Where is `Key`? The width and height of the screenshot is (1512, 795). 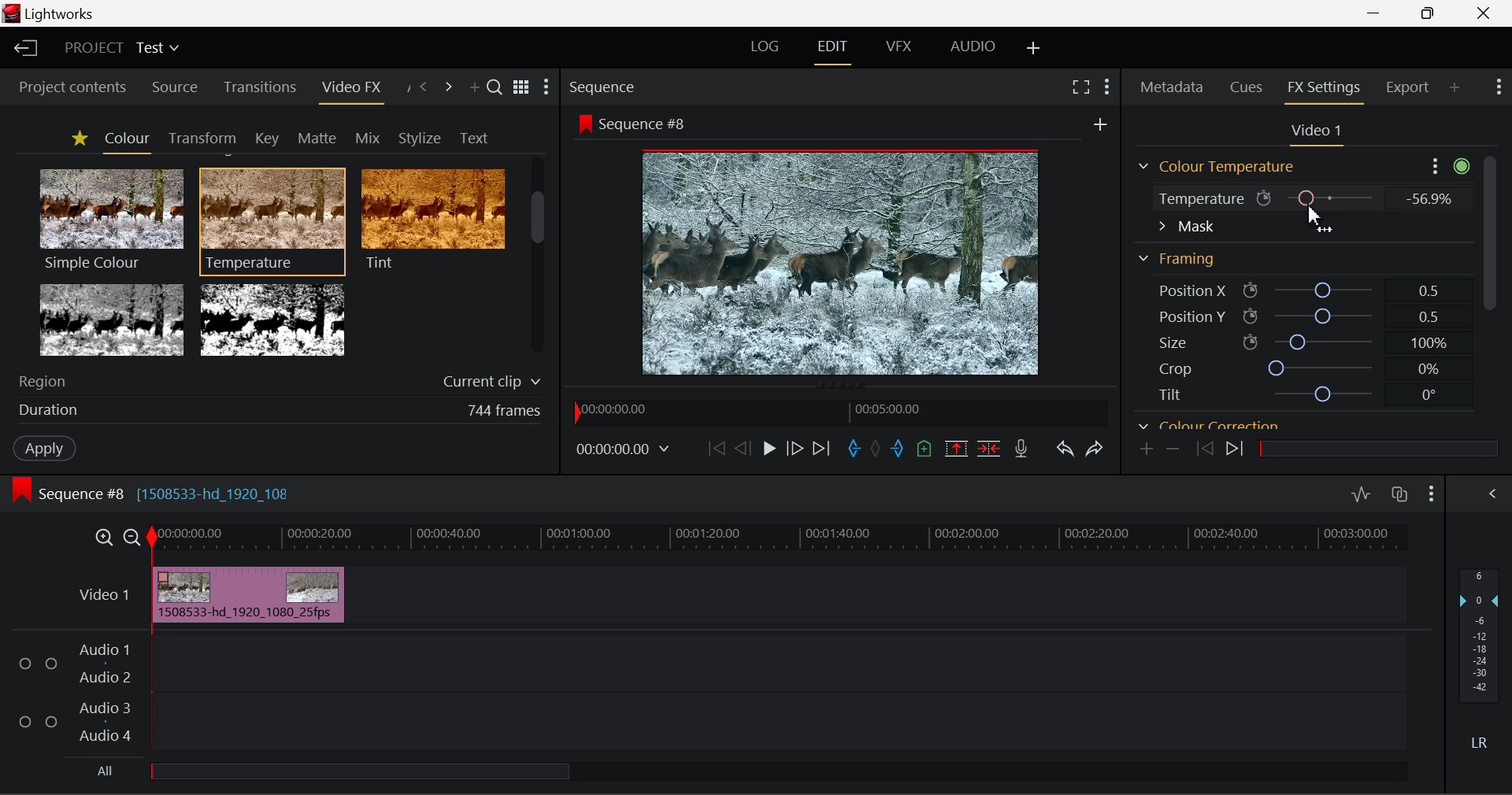 Key is located at coordinates (266, 138).